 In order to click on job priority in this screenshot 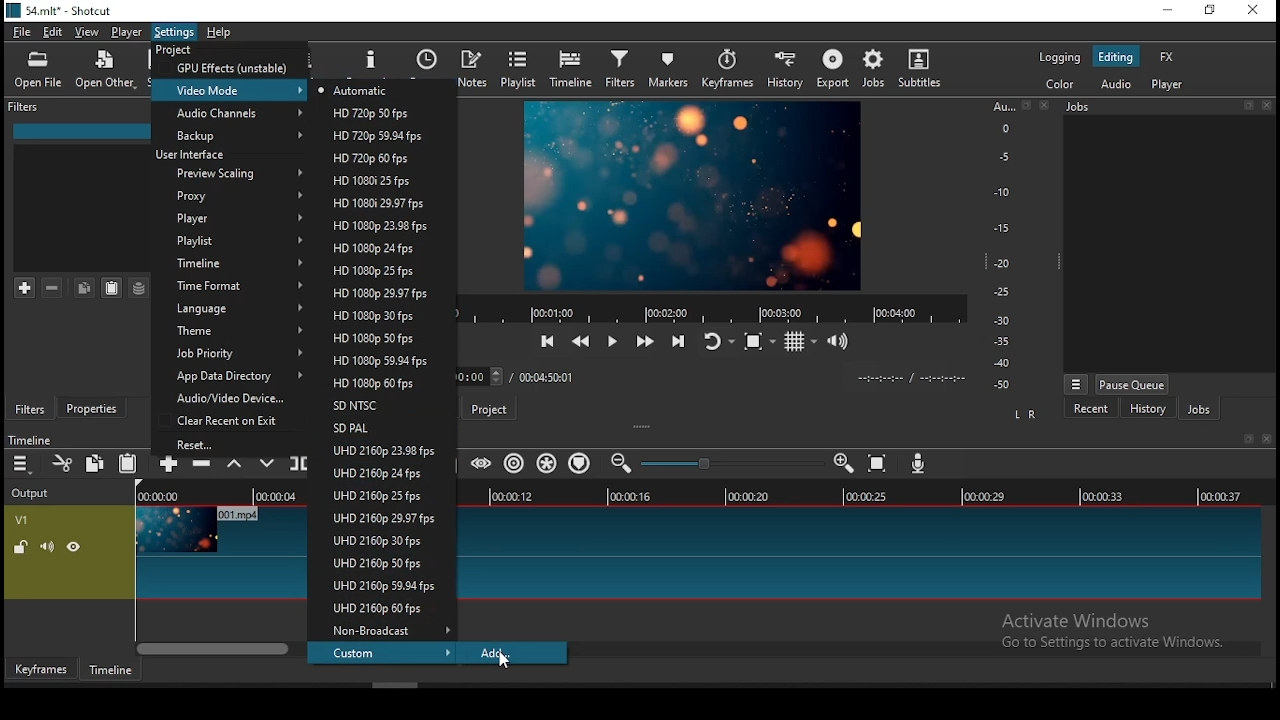, I will do `click(225, 354)`.